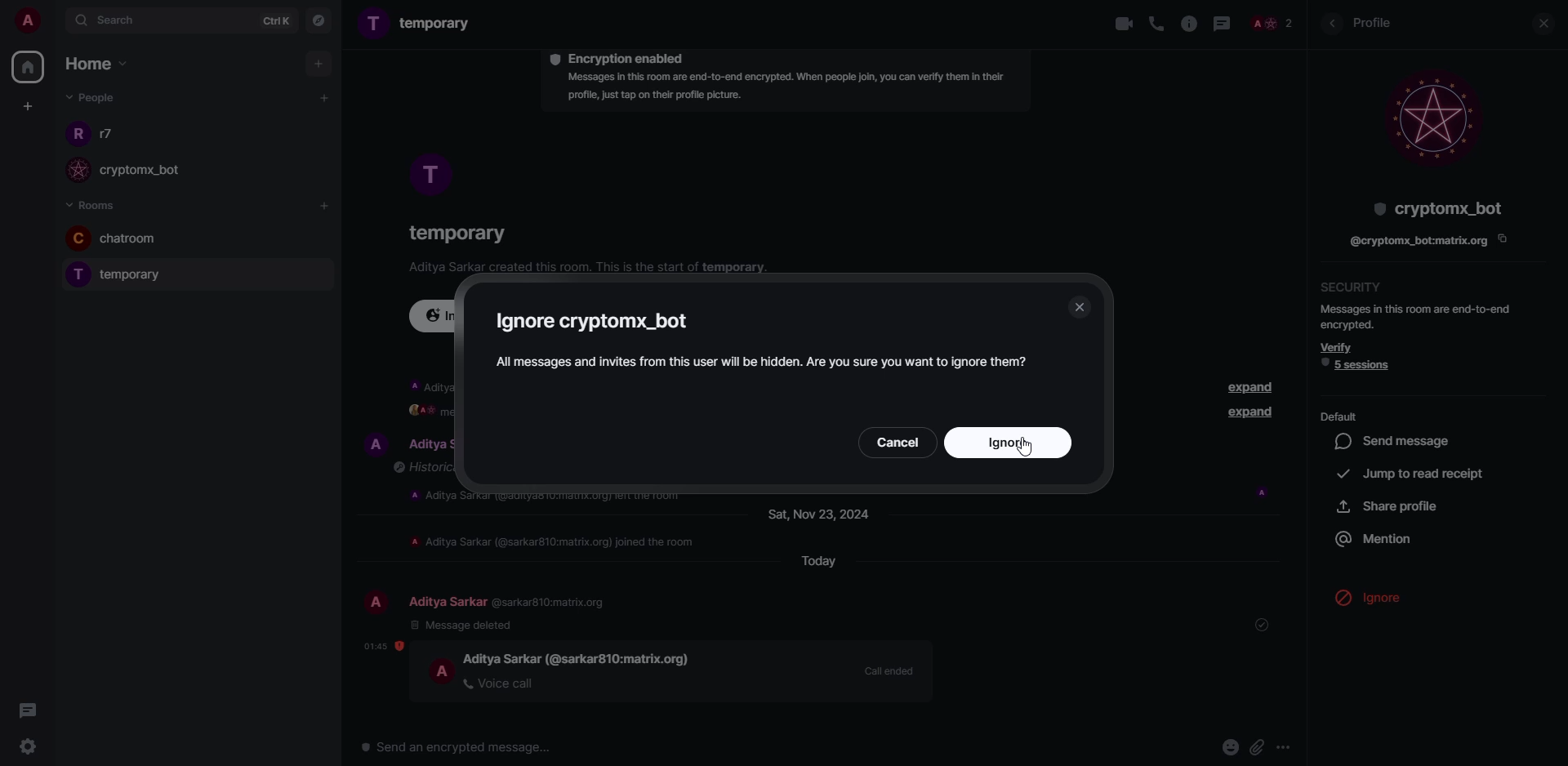  What do you see at coordinates (435, 314) in the screenshot?
I see `invite to this room` at bounding box center [435, 314].